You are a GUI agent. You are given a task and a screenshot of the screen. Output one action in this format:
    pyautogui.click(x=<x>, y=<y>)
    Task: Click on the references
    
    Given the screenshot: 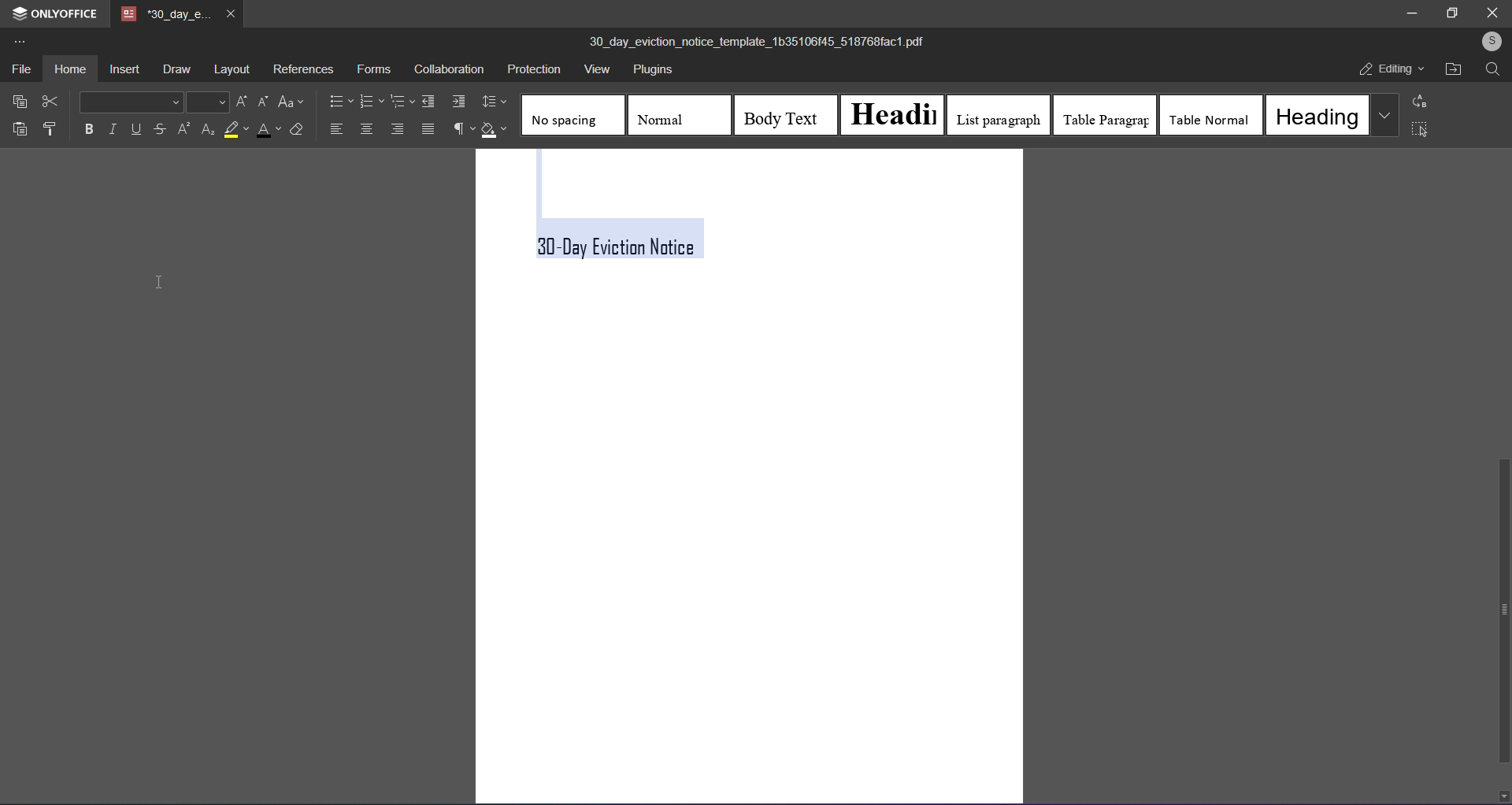 What is the action you would take?
    pyautogui.click(x=303, y=70)
    